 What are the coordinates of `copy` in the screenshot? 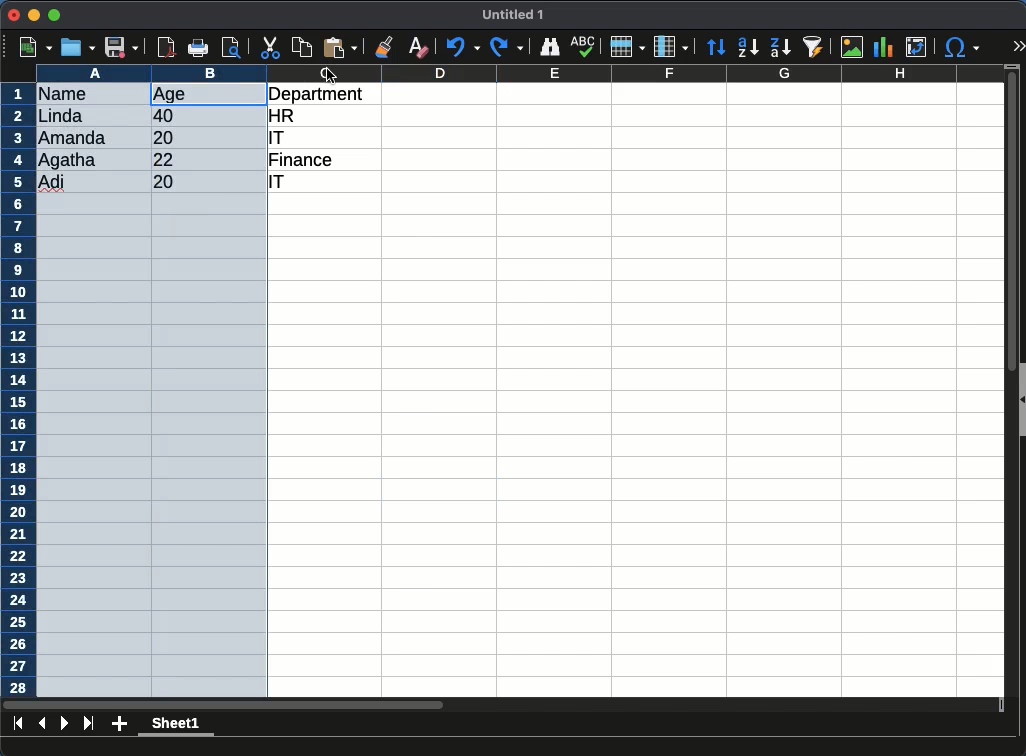 It's located at (303, 47).